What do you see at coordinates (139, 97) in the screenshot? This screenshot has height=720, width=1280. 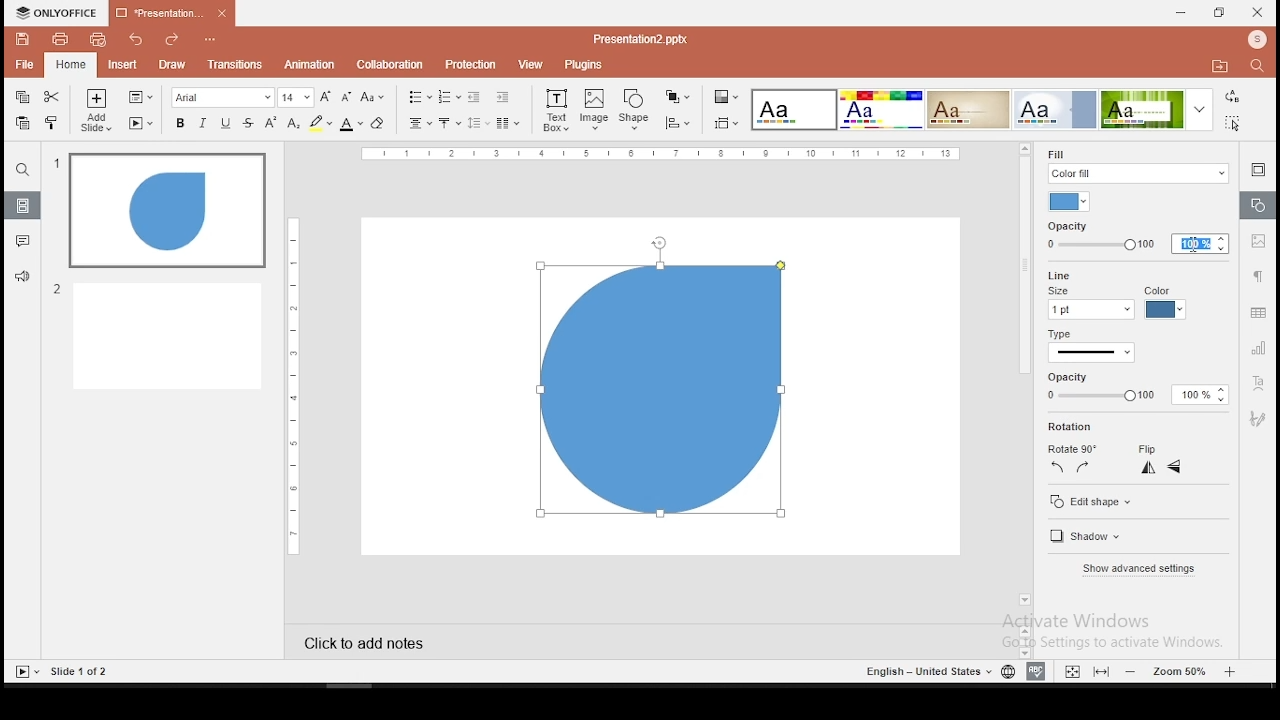 I see `change slide layout` at bounding box center [139, 97].